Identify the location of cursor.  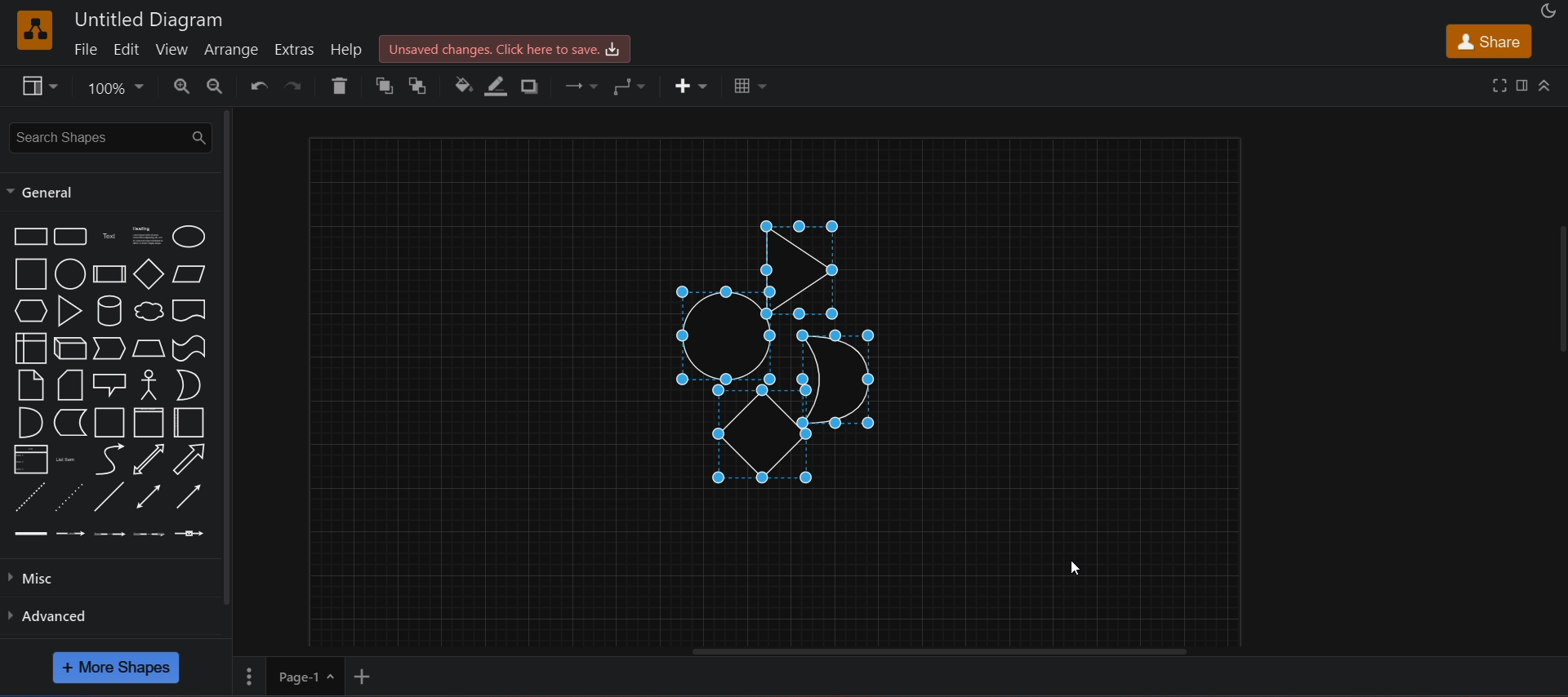
(1076, 568).